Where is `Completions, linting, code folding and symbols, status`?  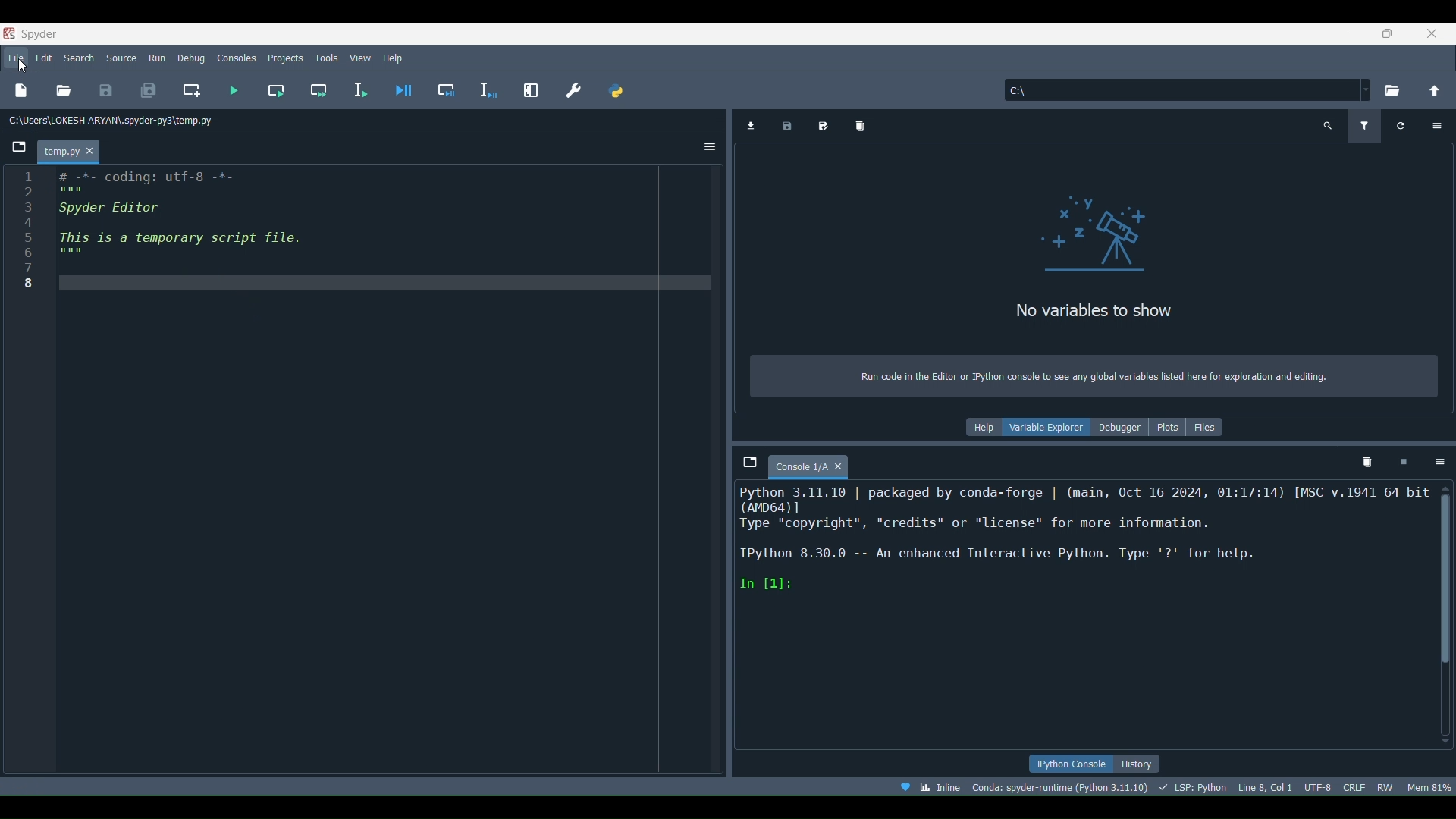 Completions, linting, code folding and symbols, status is located at coordinates (1195, 786).